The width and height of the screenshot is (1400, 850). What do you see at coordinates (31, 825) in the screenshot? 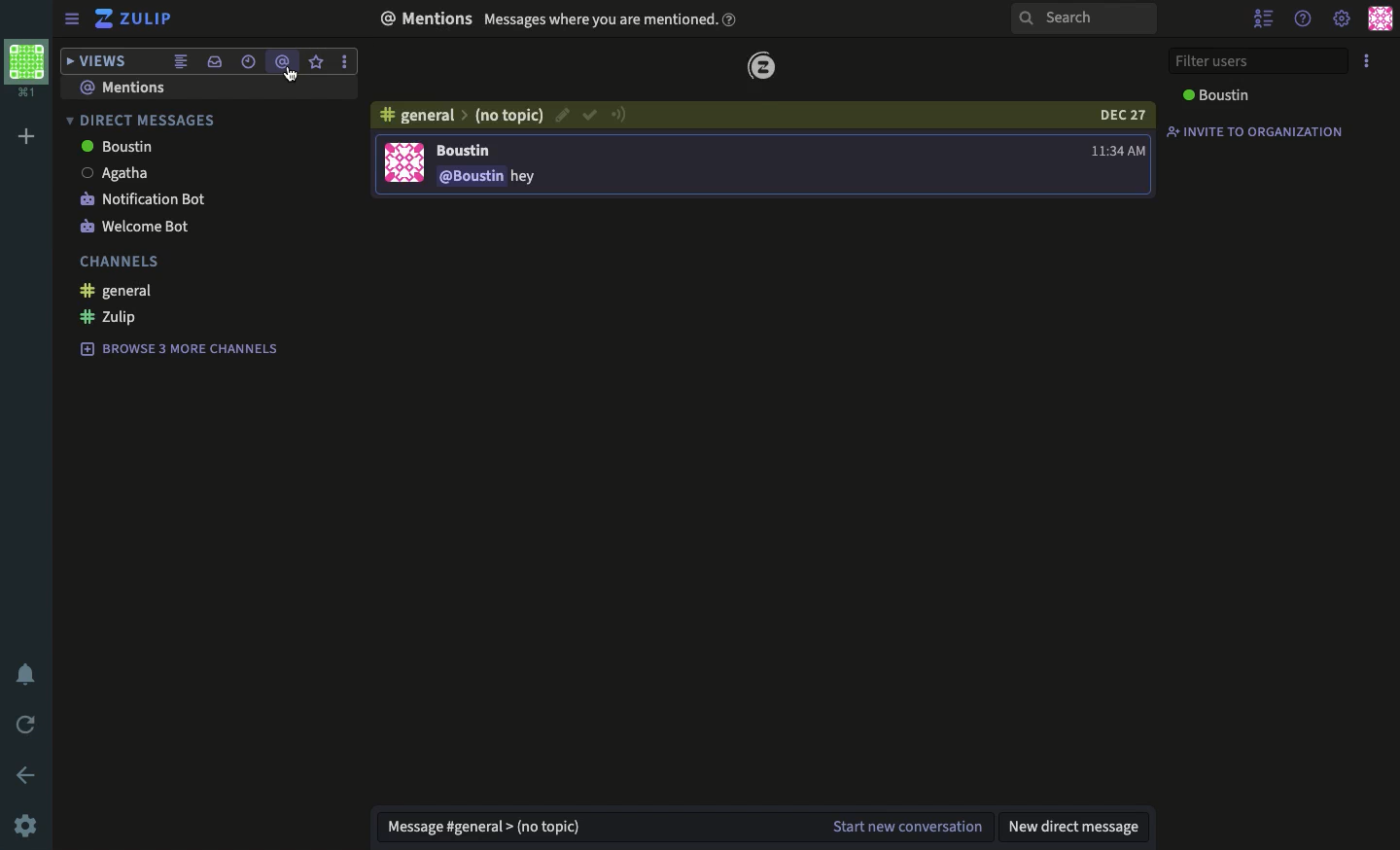
I see `settings` at bounding box center [31, 825].